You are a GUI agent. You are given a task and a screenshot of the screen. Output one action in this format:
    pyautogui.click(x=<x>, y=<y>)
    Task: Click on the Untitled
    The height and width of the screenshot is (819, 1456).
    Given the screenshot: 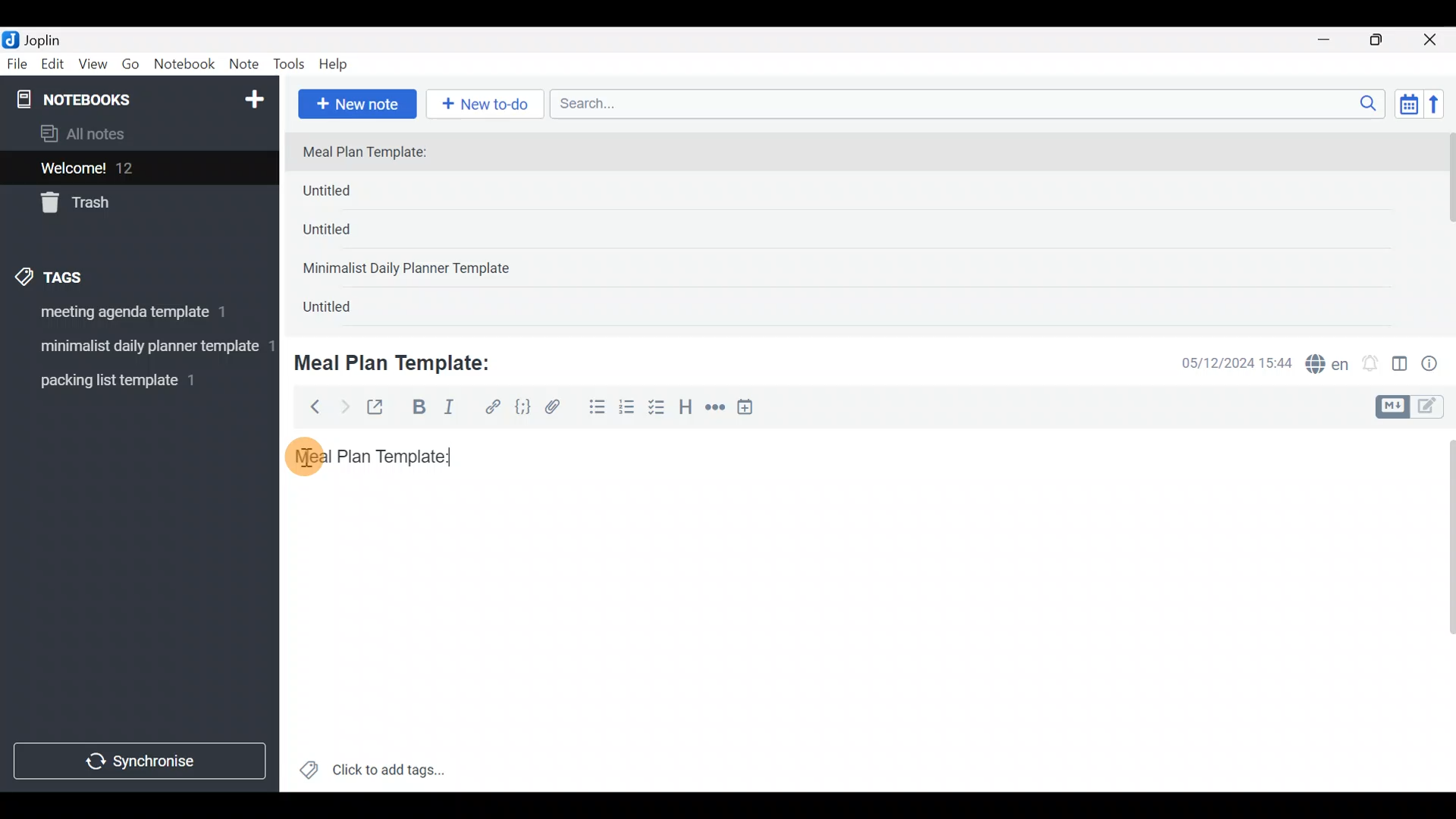 What is the action you would take?
    pyautogui.click(x=344, y=310)
    